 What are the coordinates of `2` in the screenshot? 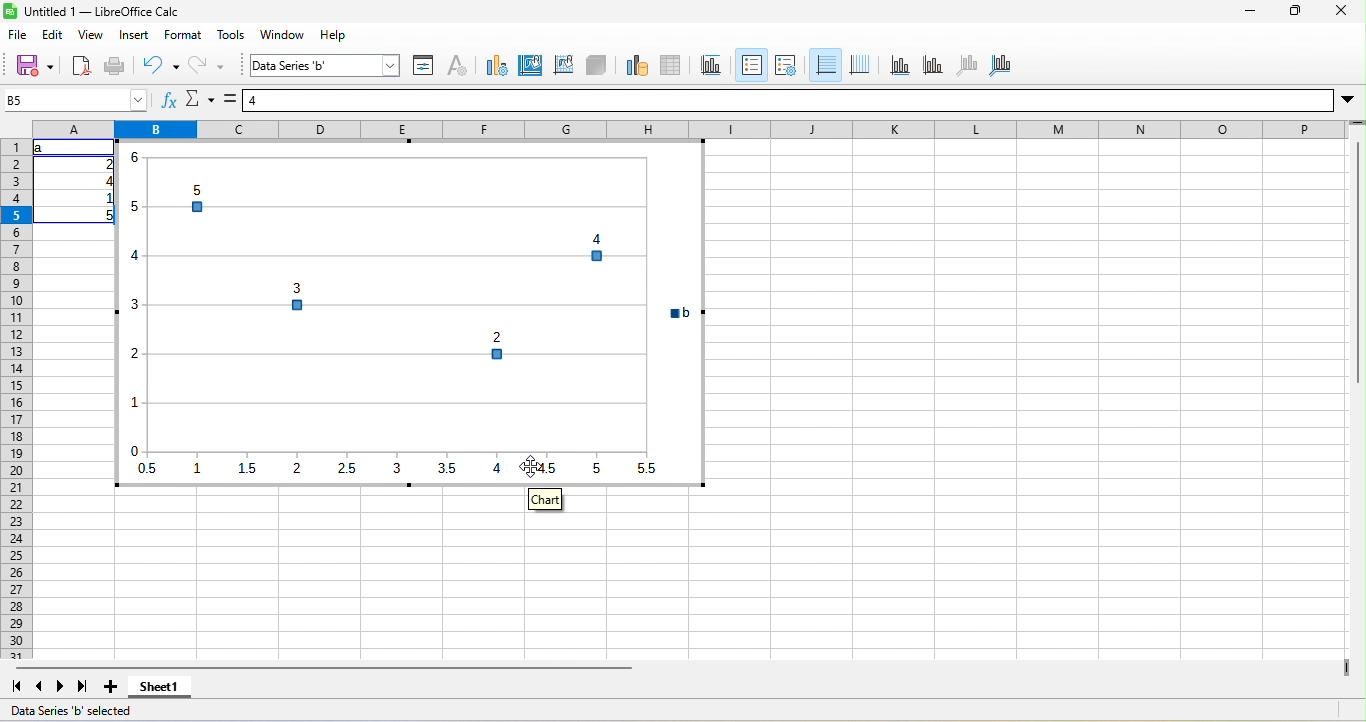 It's located at (106, 164).